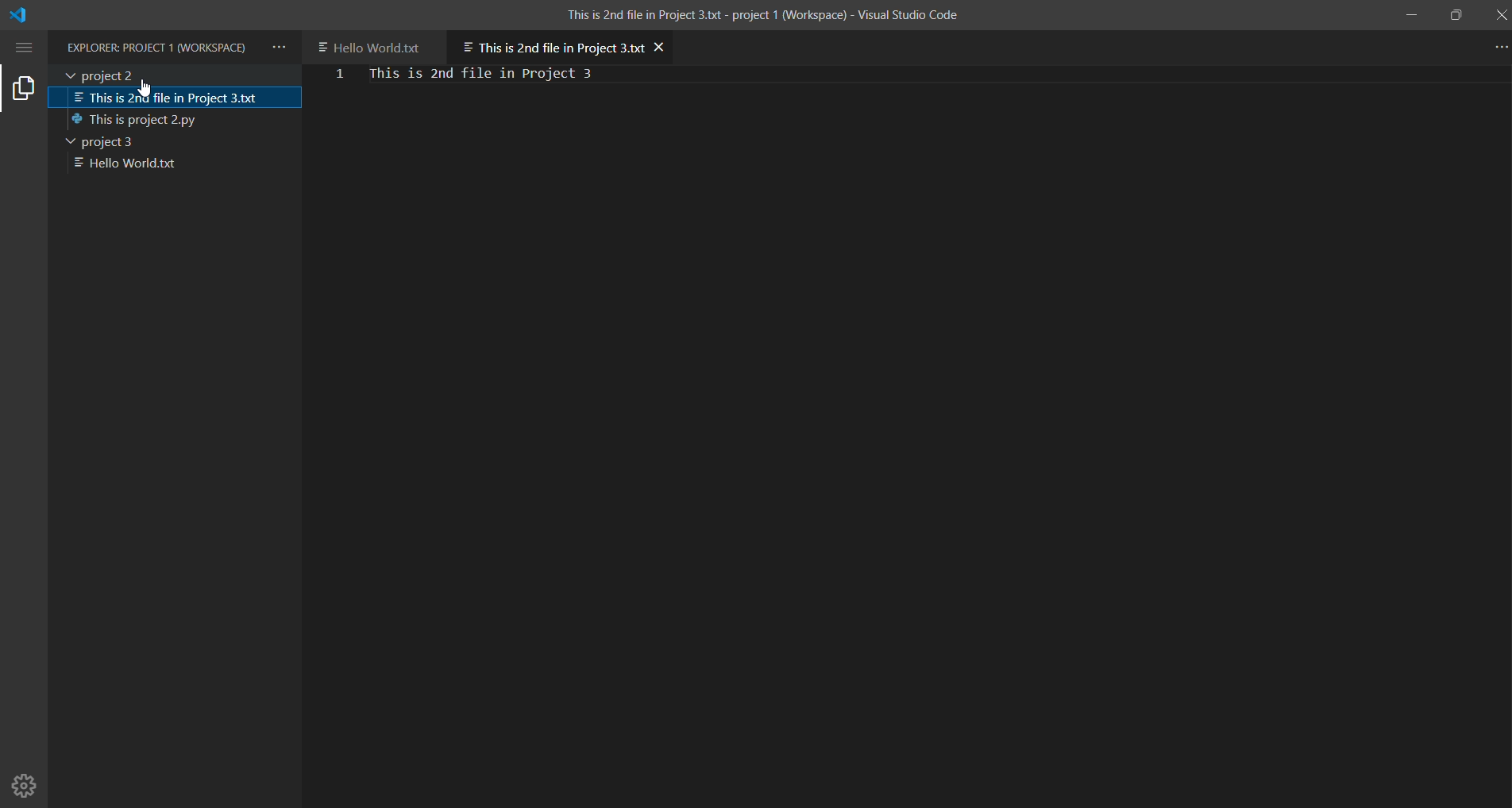 This screenshot has height=808, width=1512. Describe the element at coordinates (1409, 13) in the screenshot. I see `minimimze` at that location.